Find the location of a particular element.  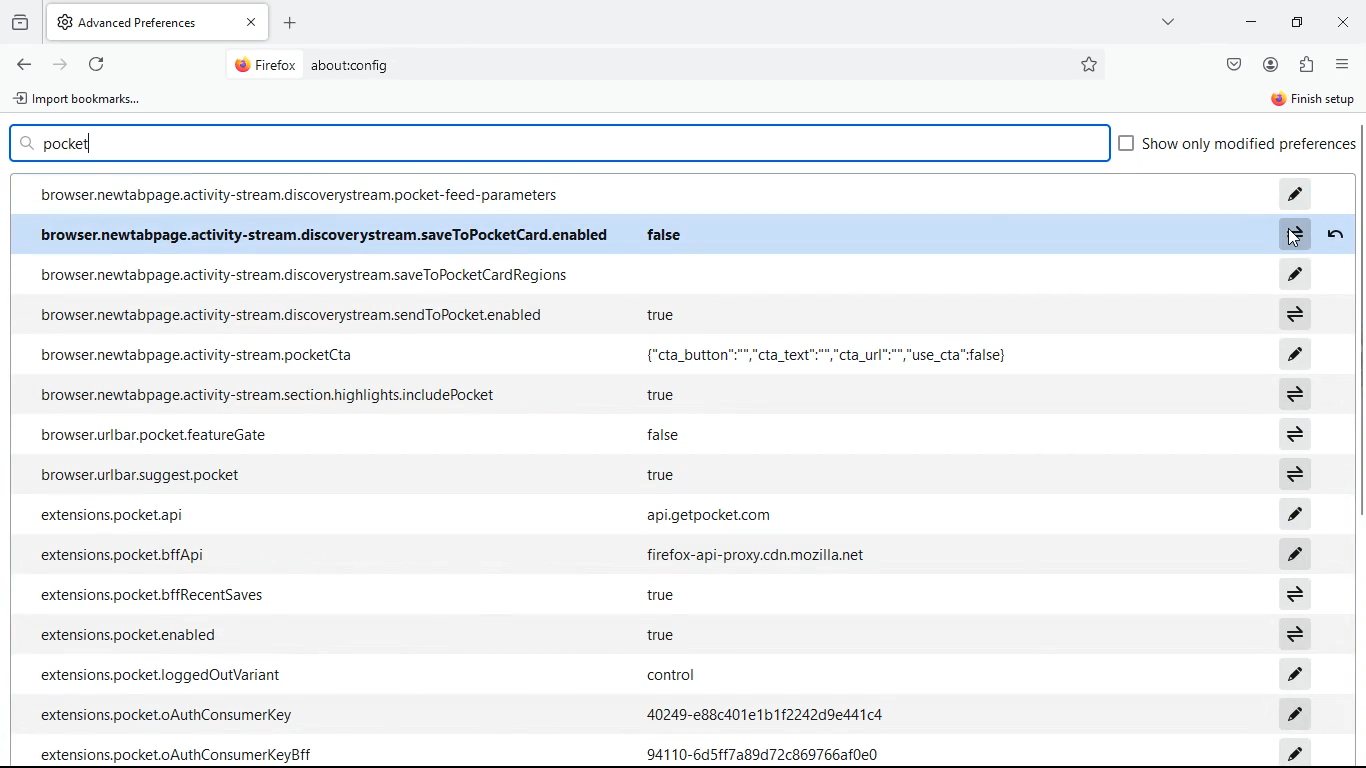

add tab is located at coordinates (295, 21).